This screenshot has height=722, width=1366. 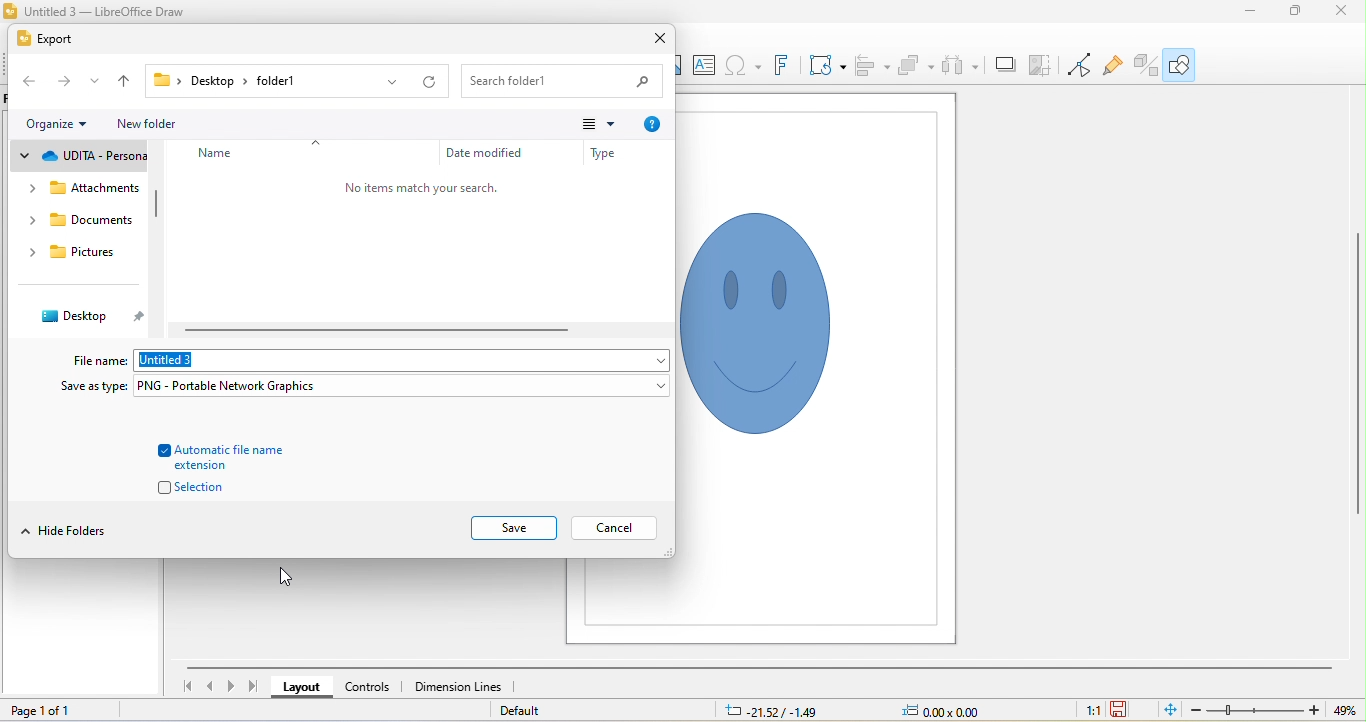 What do you see at coordinates (93, 157) in the screenshot?
I see `udita personal` at bounding box center [93, 157].